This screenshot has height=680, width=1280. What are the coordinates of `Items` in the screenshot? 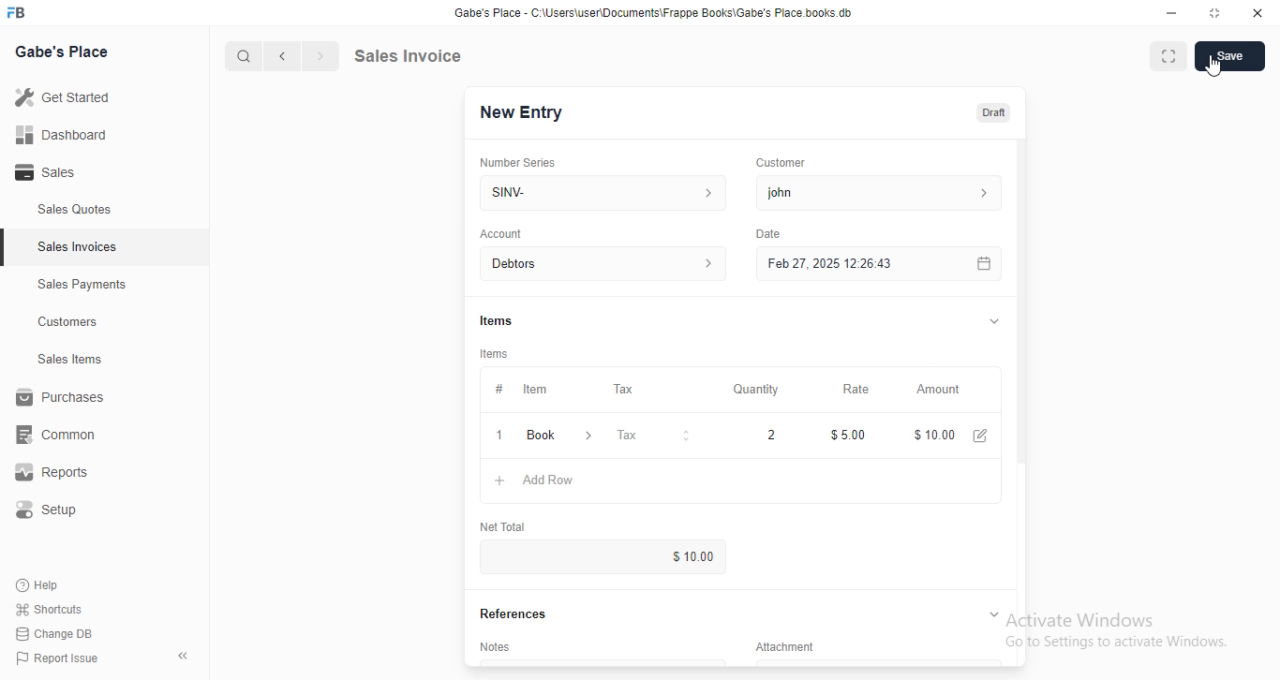 It's located at (495, 317).